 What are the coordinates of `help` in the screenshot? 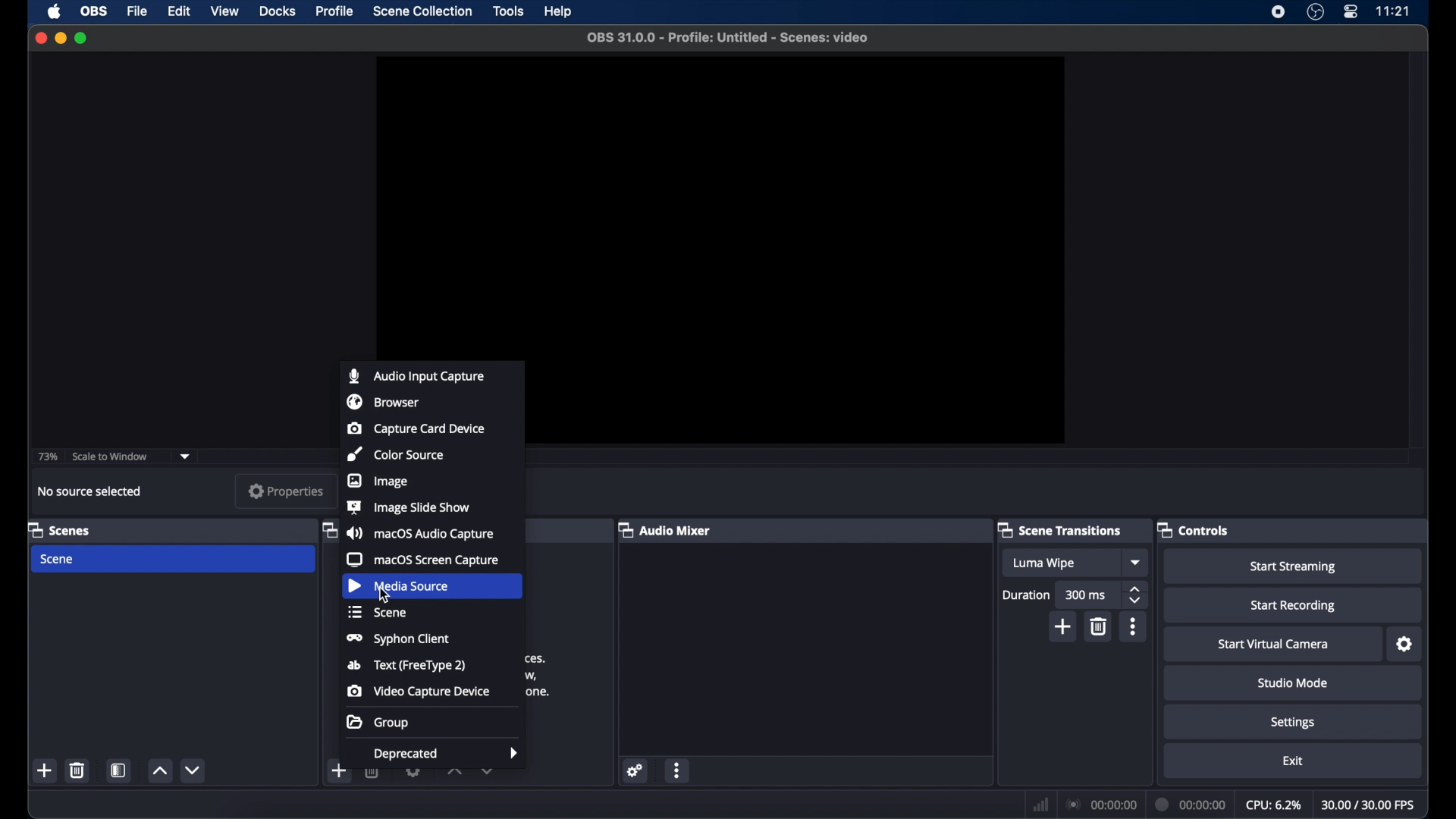 It's located at (560, 11).